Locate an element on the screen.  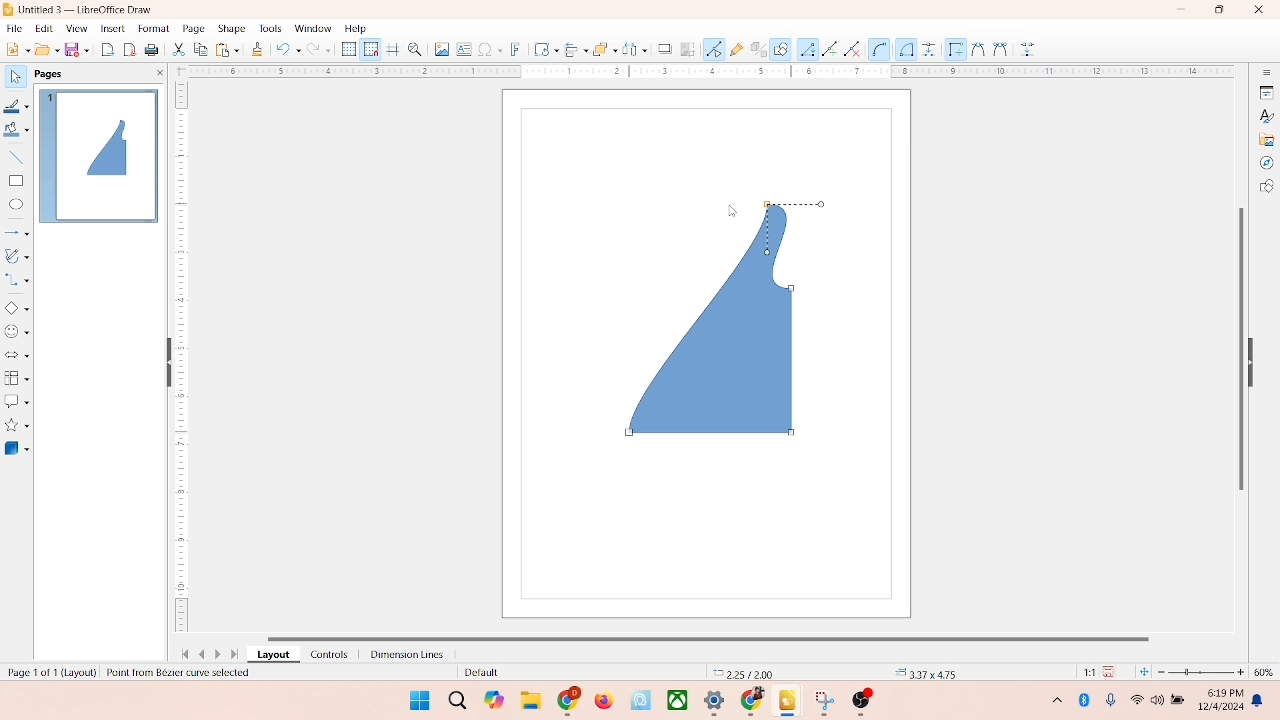
file is located at coordinates (15, 26).